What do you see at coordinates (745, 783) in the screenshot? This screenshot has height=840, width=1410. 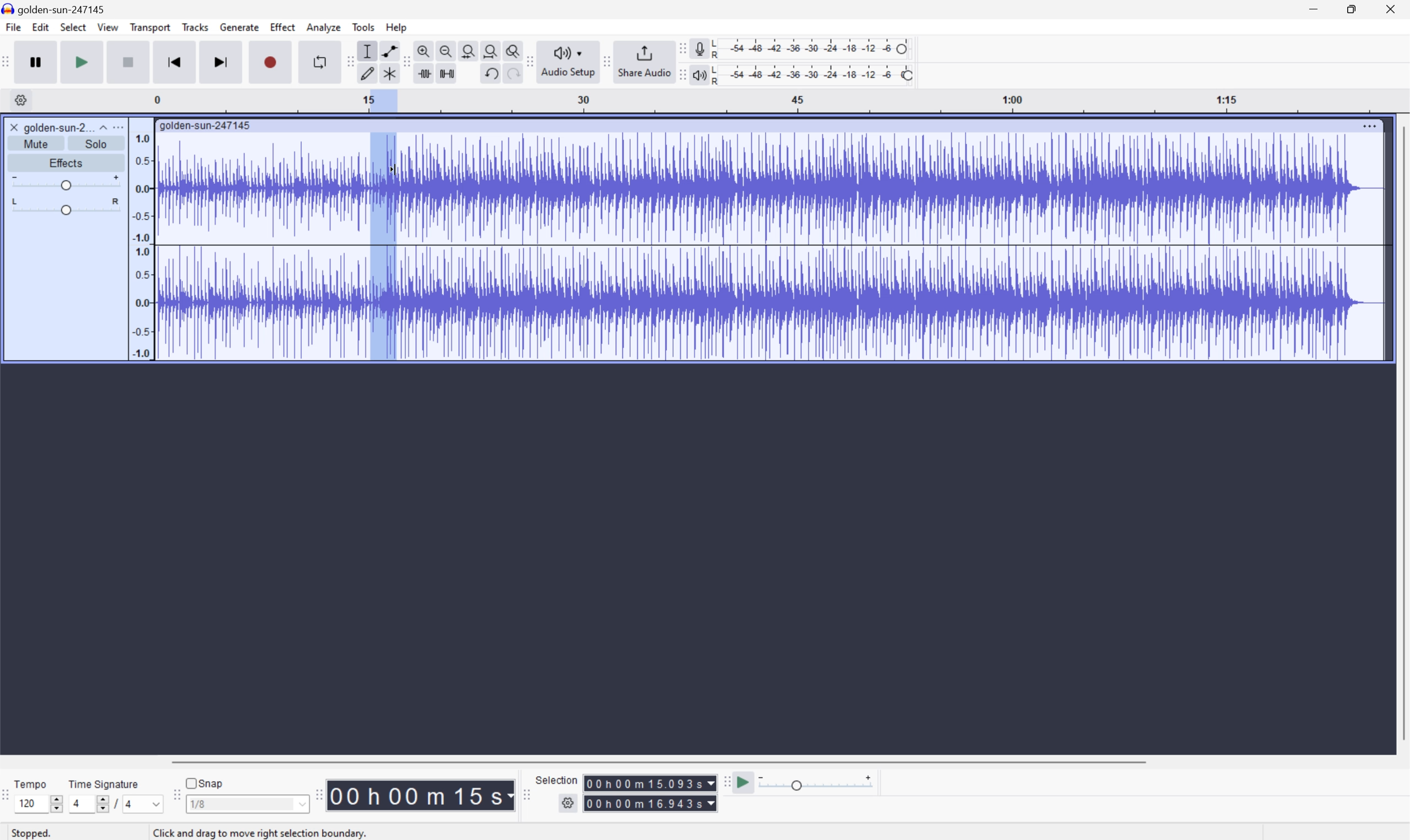 I see `Play st speed` at bounding box center [745, 783].